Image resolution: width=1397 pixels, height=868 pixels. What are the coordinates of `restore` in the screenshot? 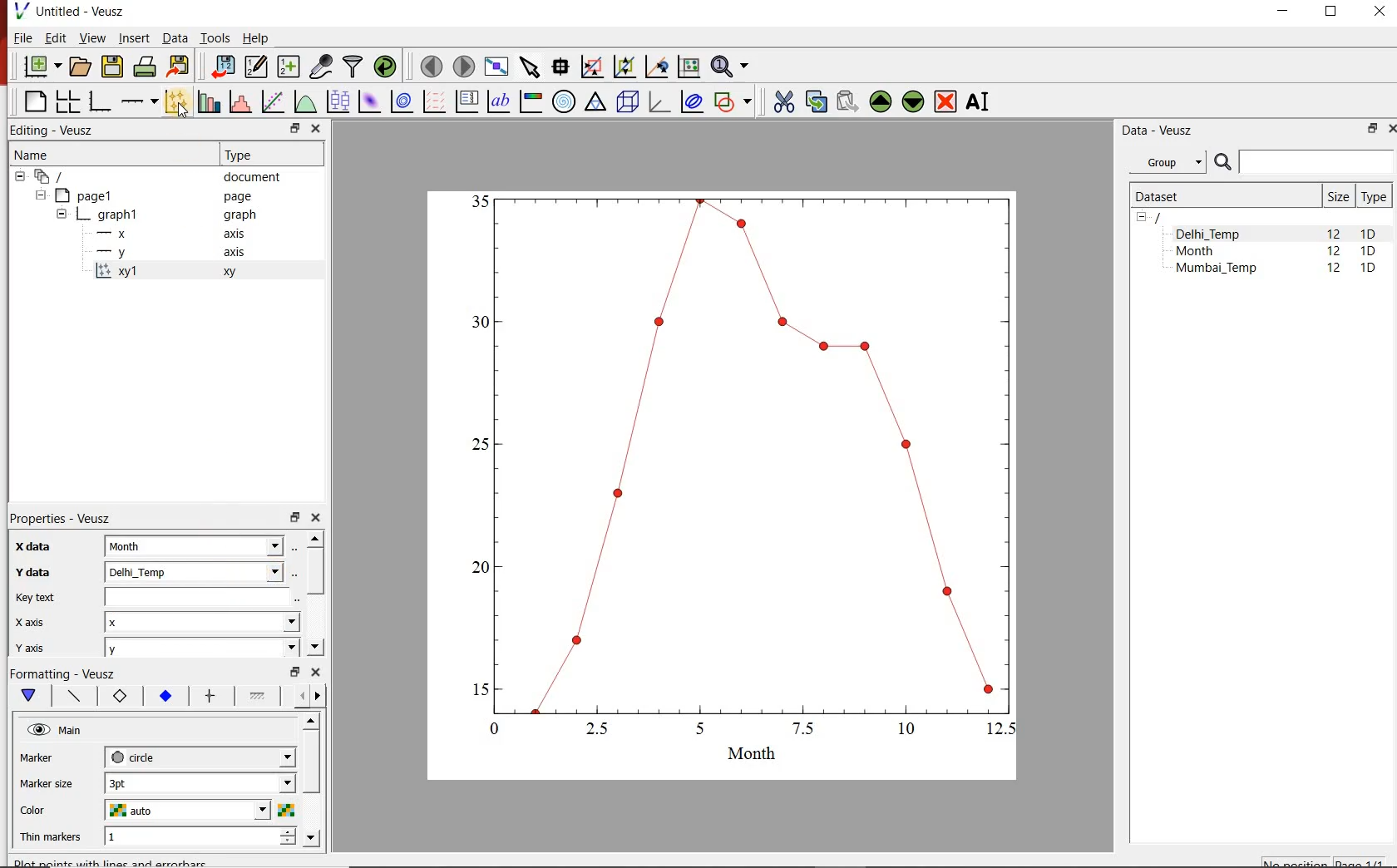 It's located at (294, 516).